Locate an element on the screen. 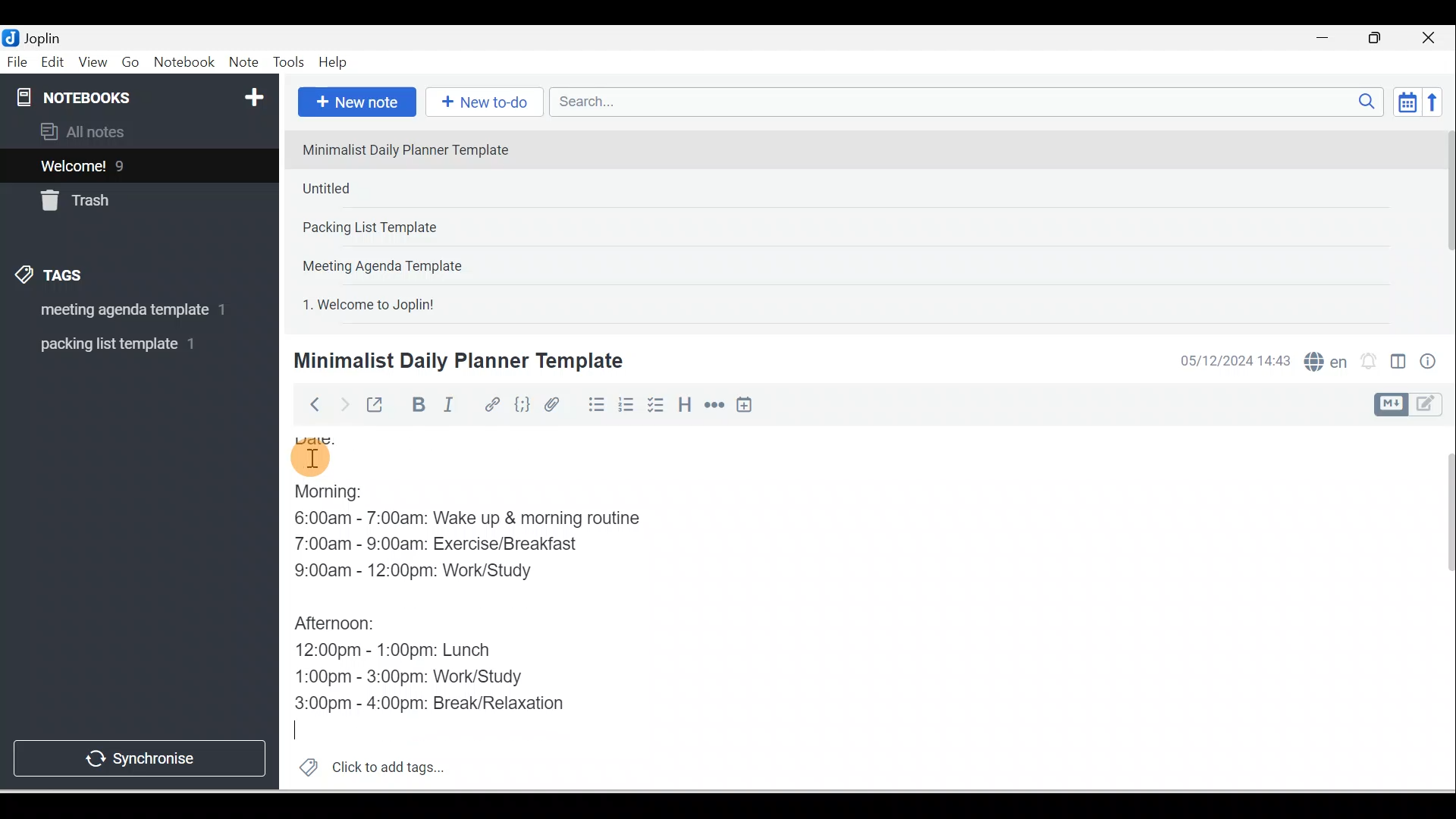  Notes is located at coordinates (128, 162).